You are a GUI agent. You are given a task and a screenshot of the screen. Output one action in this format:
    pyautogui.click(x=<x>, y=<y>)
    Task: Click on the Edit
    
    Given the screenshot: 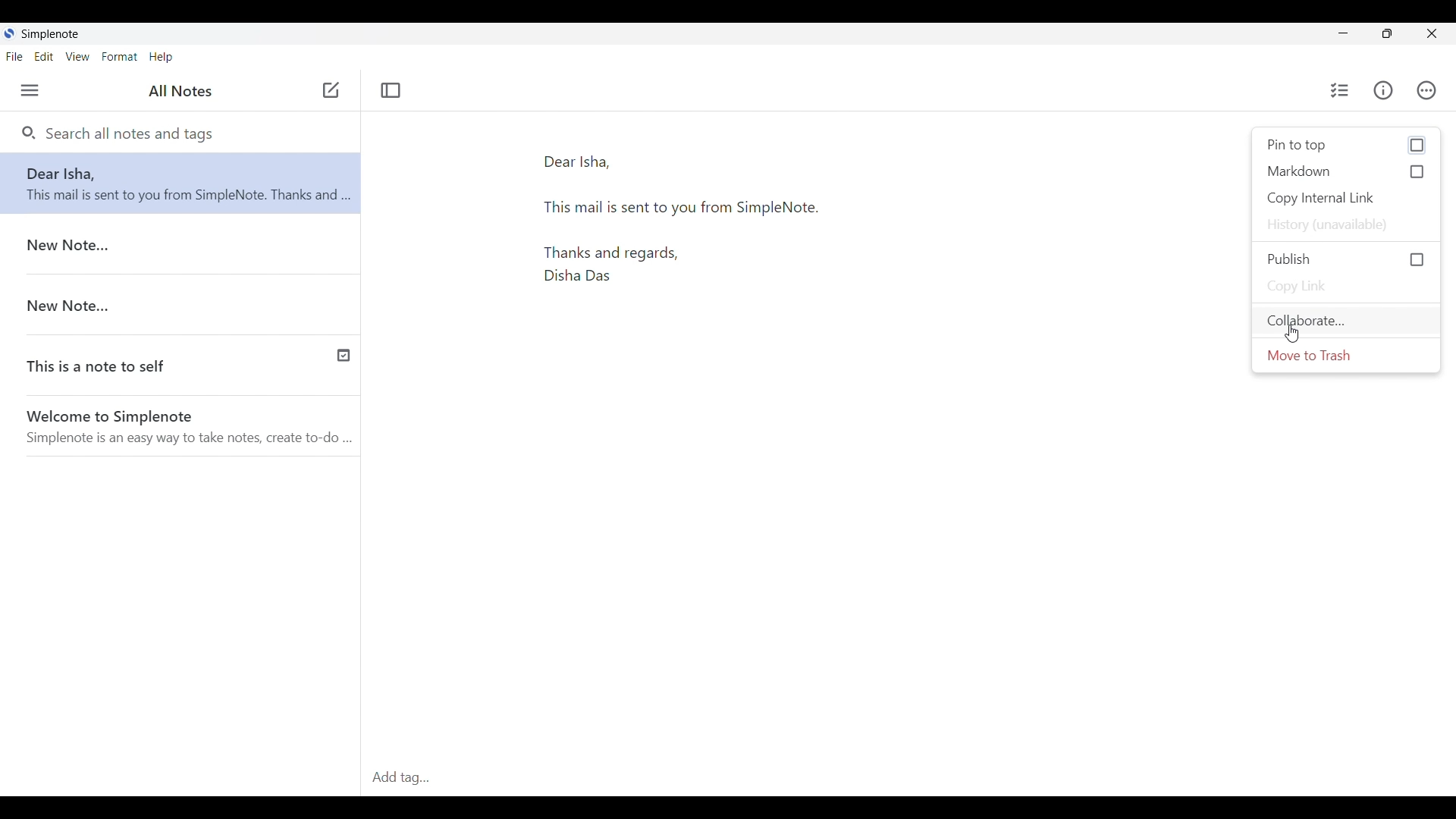 What is the action you would take?
    pyautogui.click(x=44, y=56)
    